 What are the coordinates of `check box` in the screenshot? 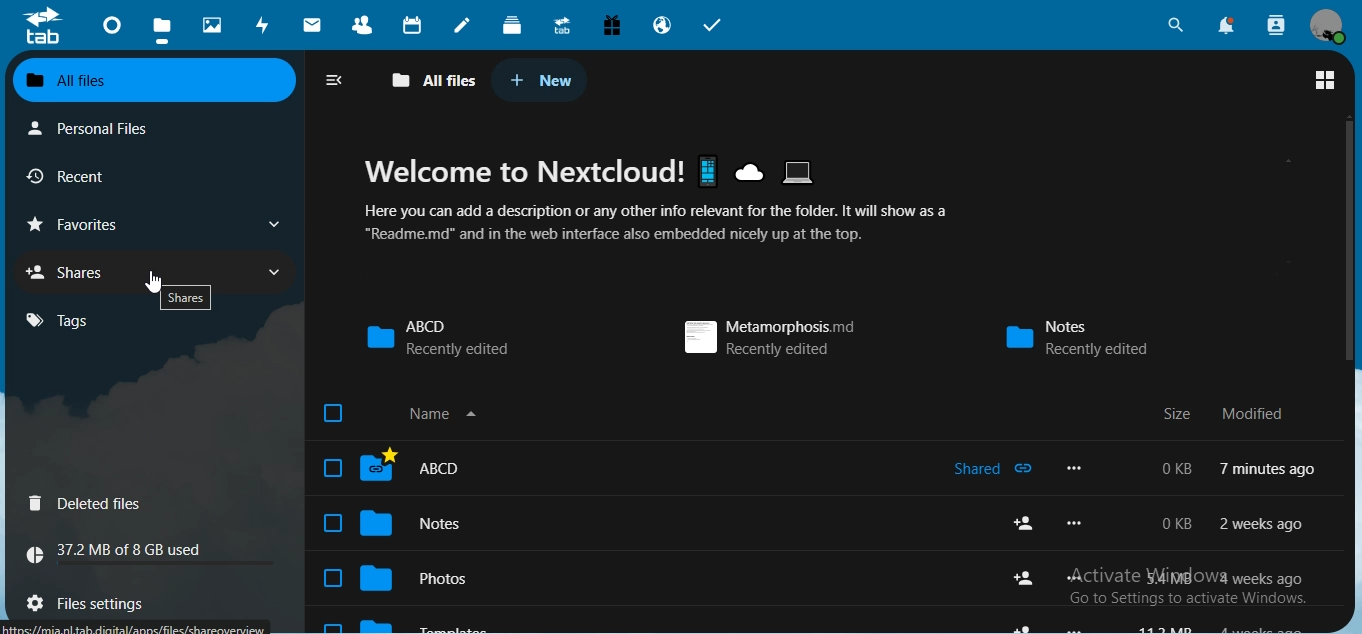 It's located at (332, 578).